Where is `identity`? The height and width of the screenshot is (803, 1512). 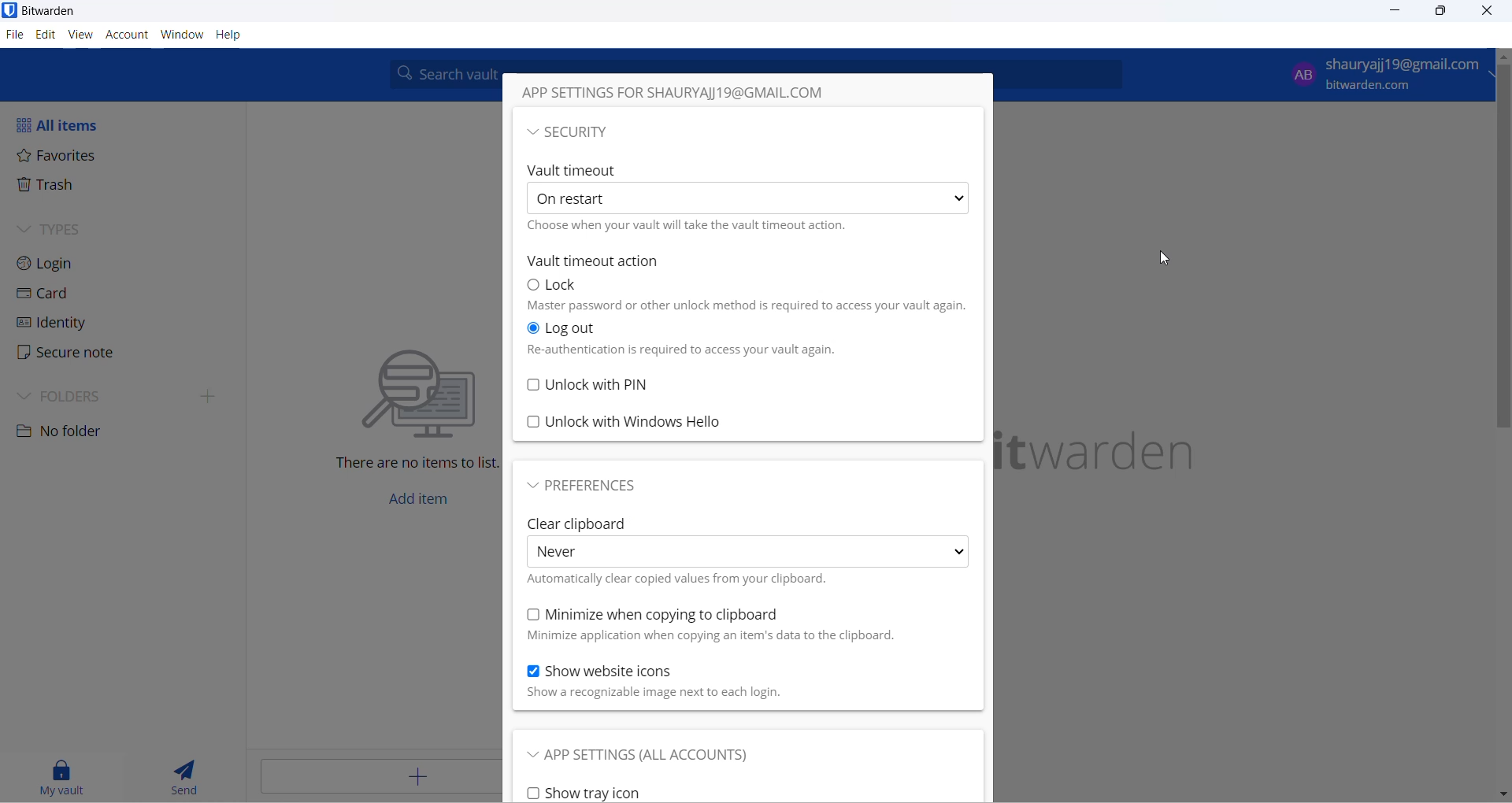
identity is located at coordinates (53, 324).